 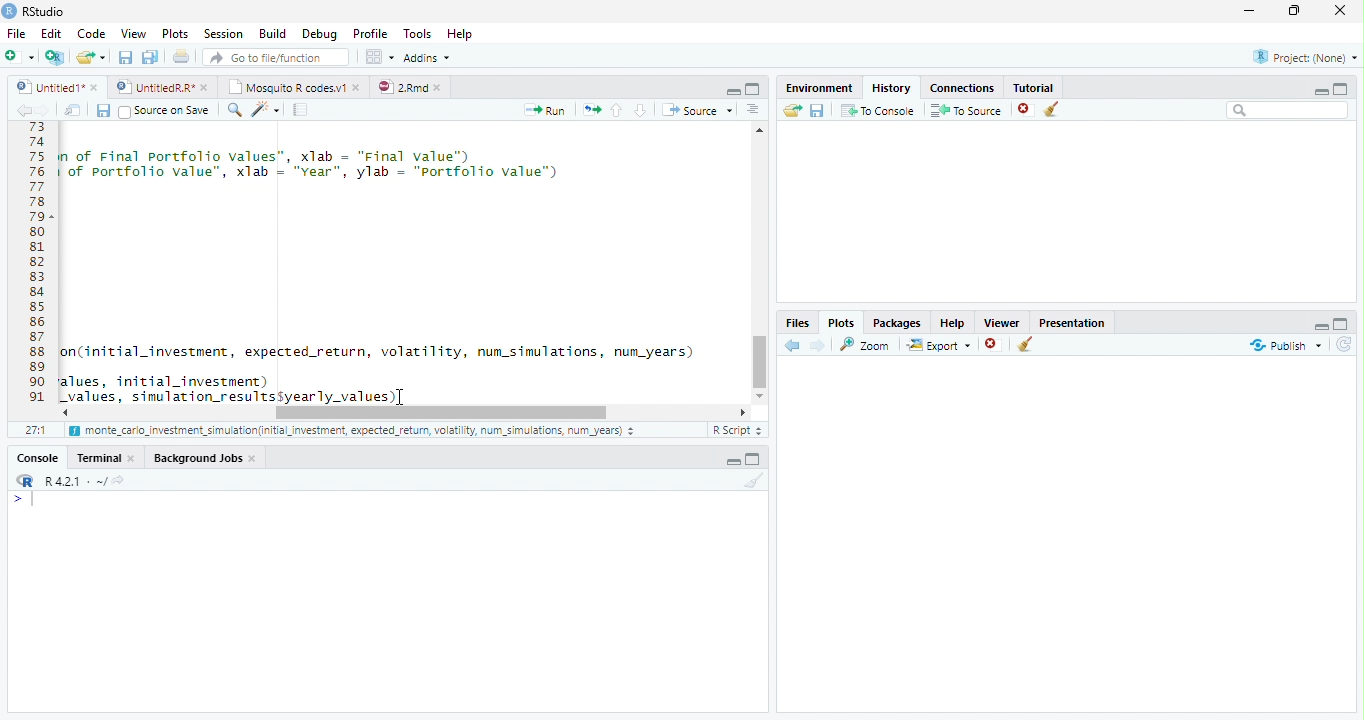 What do you see at coordinates (756, 458) in the screenshot?
I see `Full Height` at bounding box center [756, 458].